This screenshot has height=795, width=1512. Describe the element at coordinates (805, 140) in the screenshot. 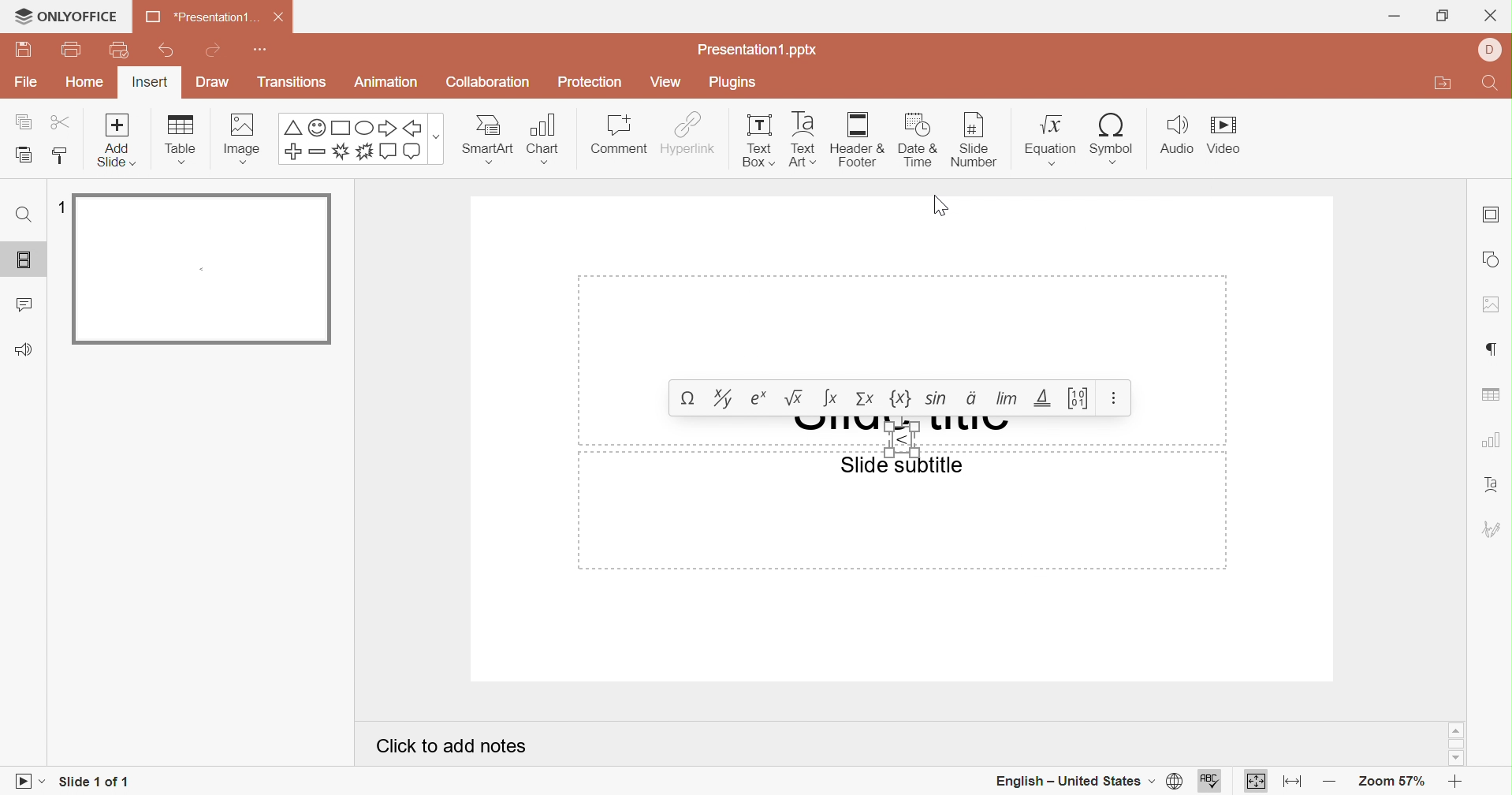

I see `Text Art` at that location.